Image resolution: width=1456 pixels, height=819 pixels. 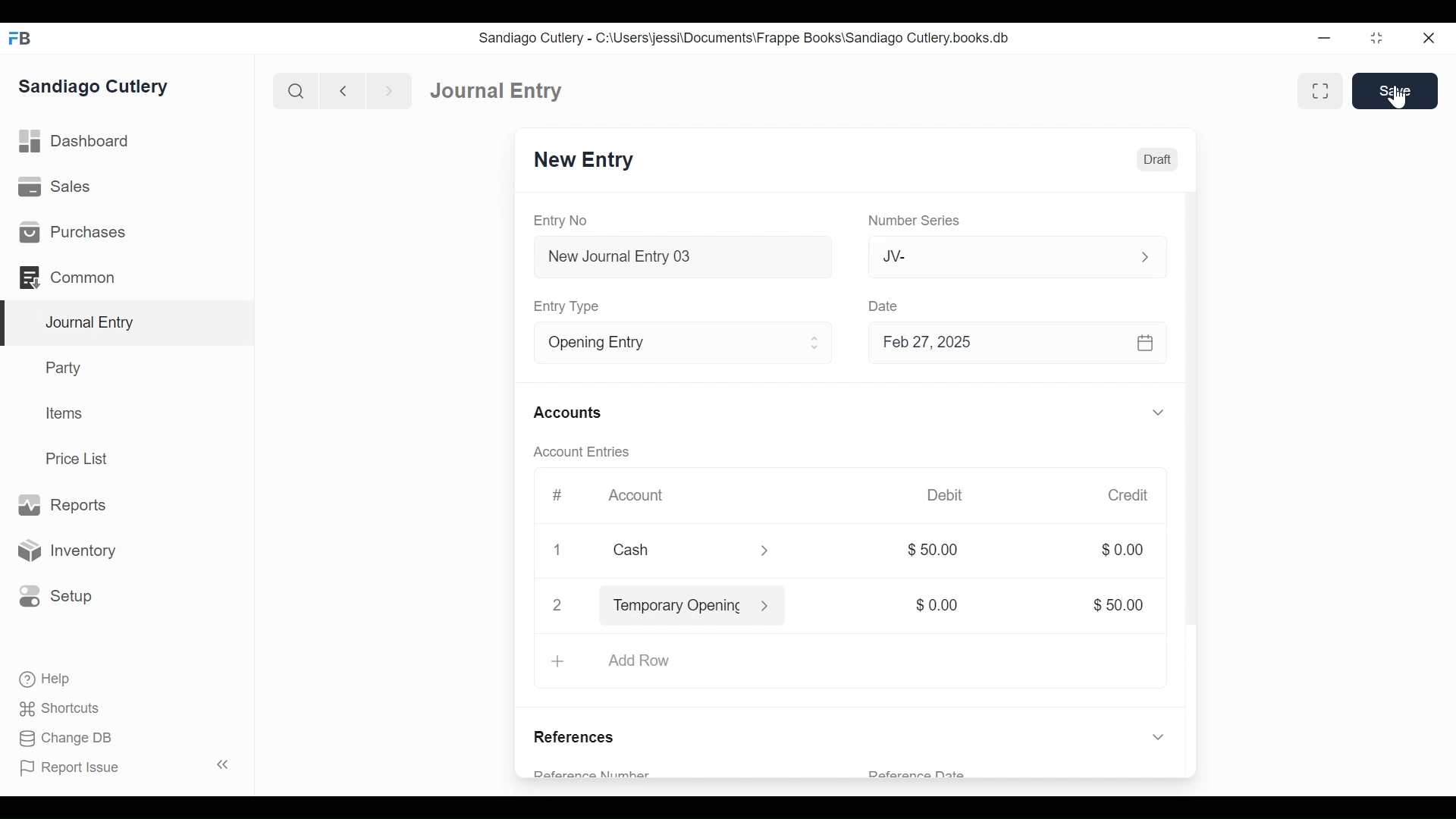 I want to click on Sandiago Cutlery - C:\Users\jessi\Documents\Frappe Books\Sandiago Cutlery.books.db, so click(x=745, y=37).